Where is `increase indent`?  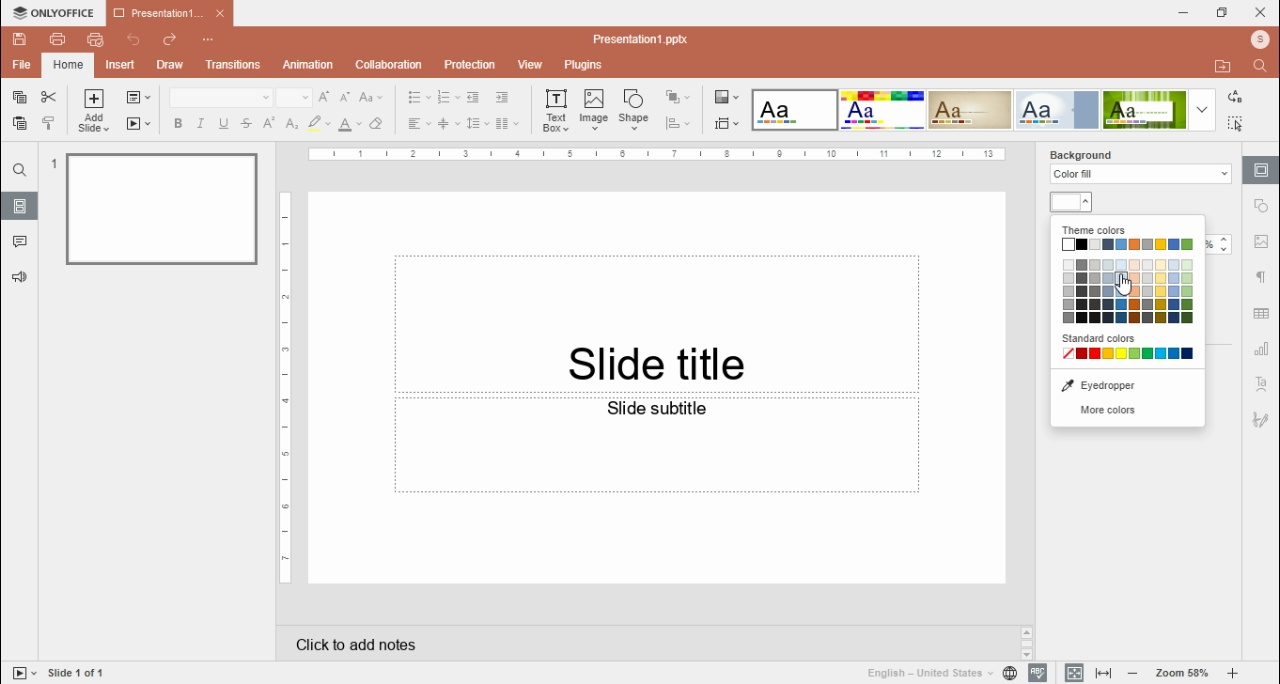 increase indent is located at coordinates (501, 98).